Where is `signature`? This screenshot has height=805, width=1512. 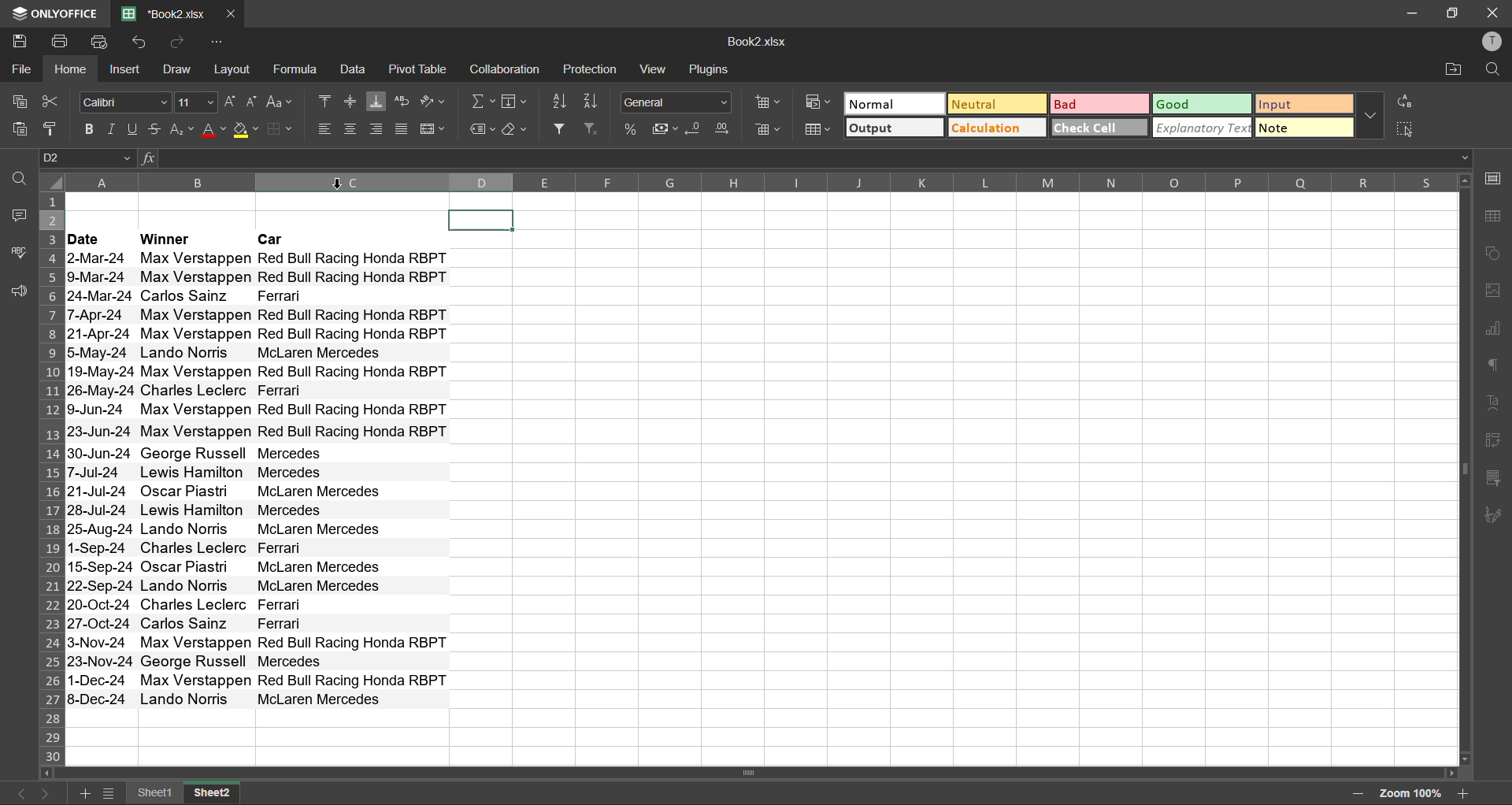 signature is located at coordinates (1494, 520).